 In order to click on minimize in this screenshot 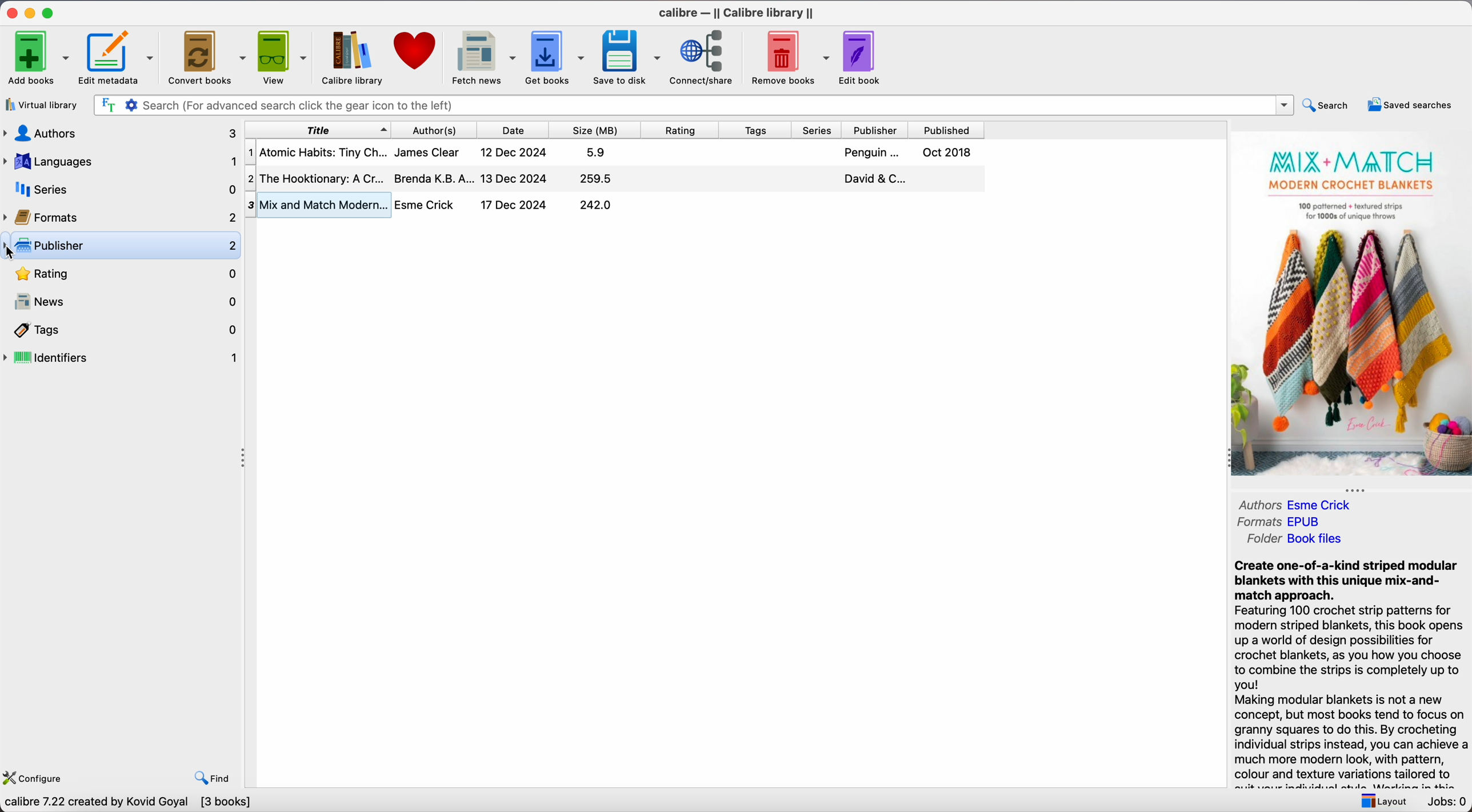, I will do `click(30, 13)`.